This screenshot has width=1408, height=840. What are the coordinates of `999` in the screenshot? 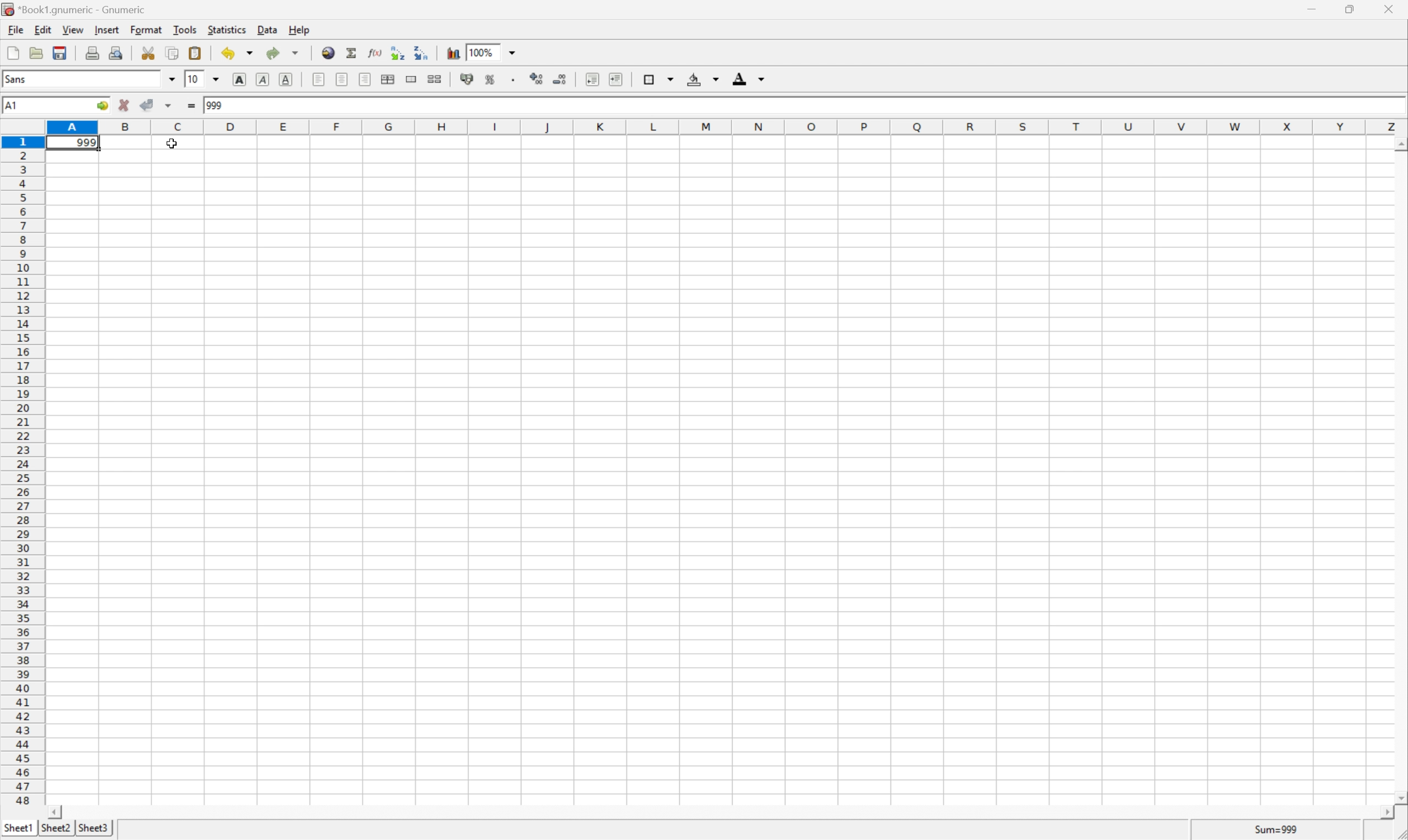 It's located at (217, 106).